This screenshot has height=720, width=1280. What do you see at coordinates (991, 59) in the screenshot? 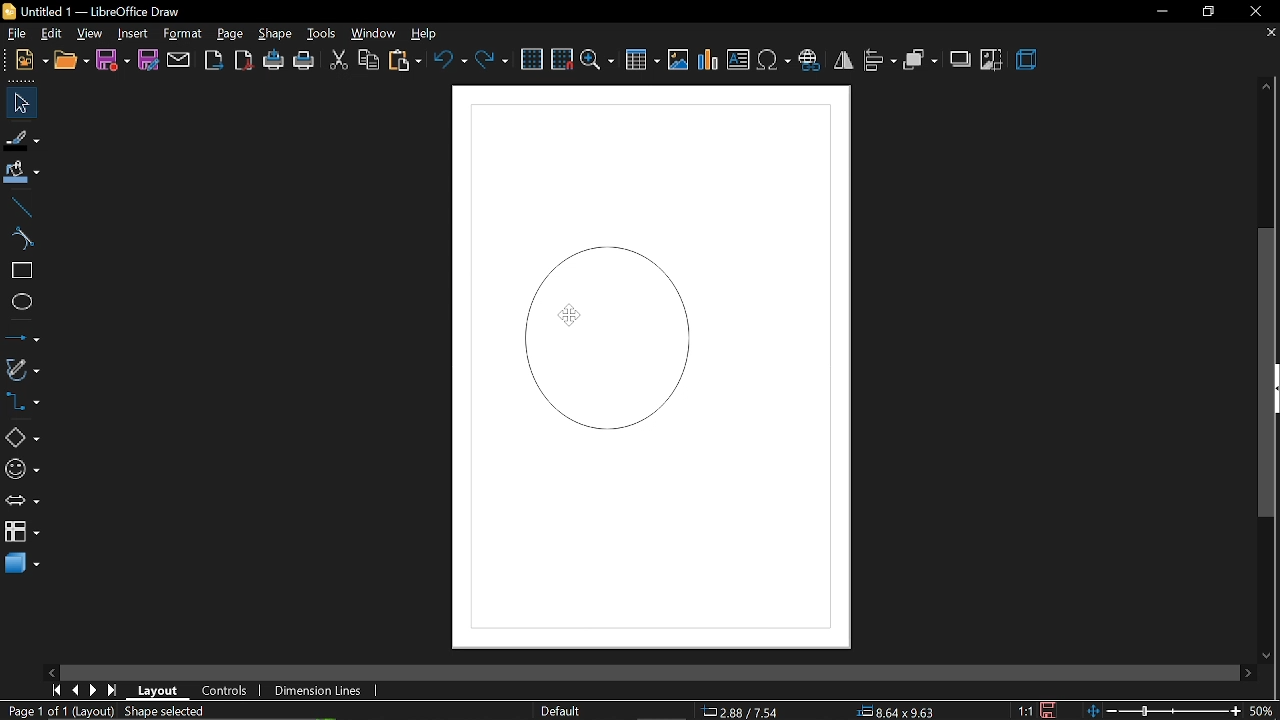
I see `crop` at bounding box center [991, 59].